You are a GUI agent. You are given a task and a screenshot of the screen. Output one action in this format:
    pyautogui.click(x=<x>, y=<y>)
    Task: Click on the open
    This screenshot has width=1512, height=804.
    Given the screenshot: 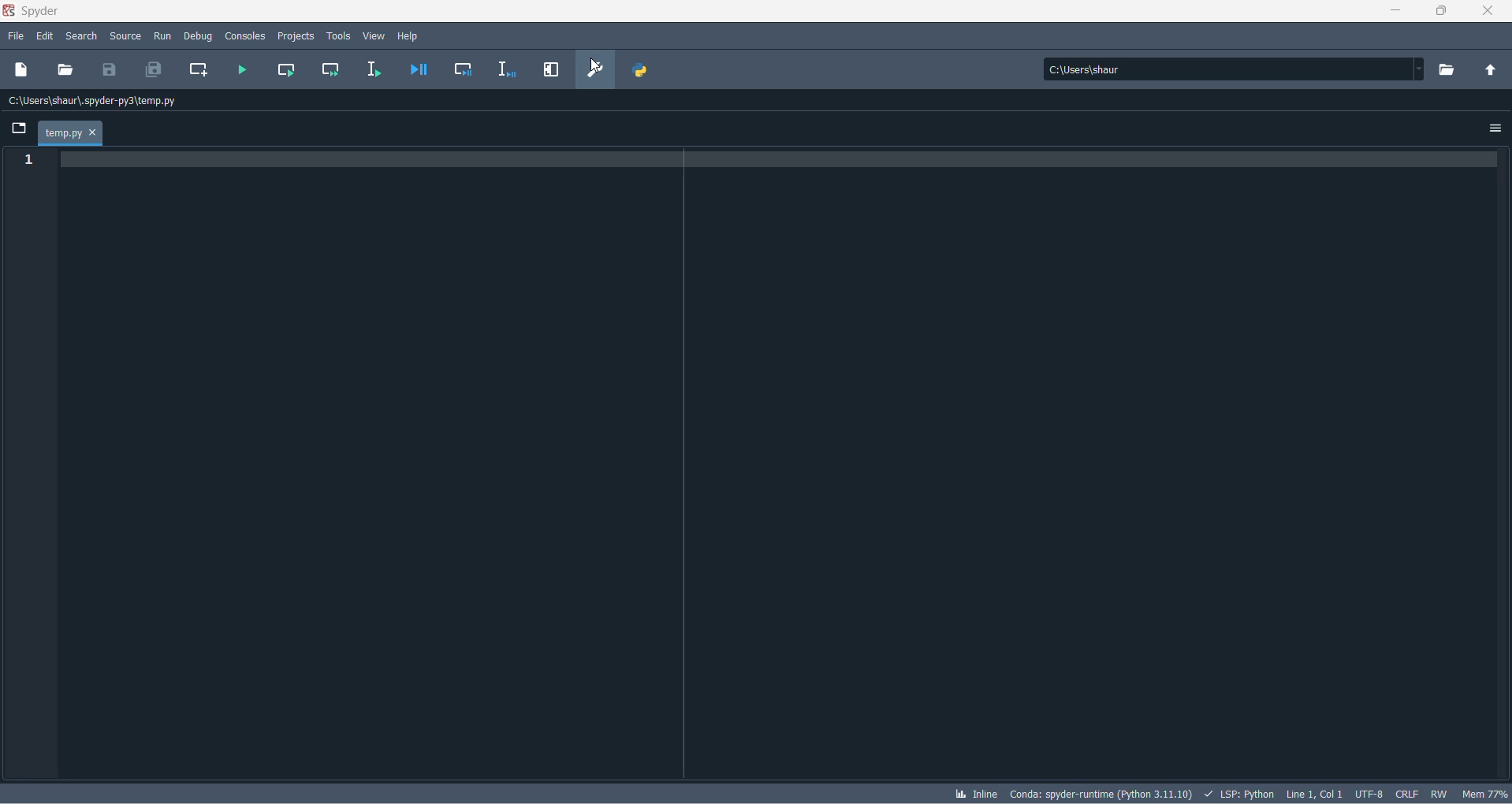 What is the action you would take?
    pyautogui.click(x=65, y=69)
    